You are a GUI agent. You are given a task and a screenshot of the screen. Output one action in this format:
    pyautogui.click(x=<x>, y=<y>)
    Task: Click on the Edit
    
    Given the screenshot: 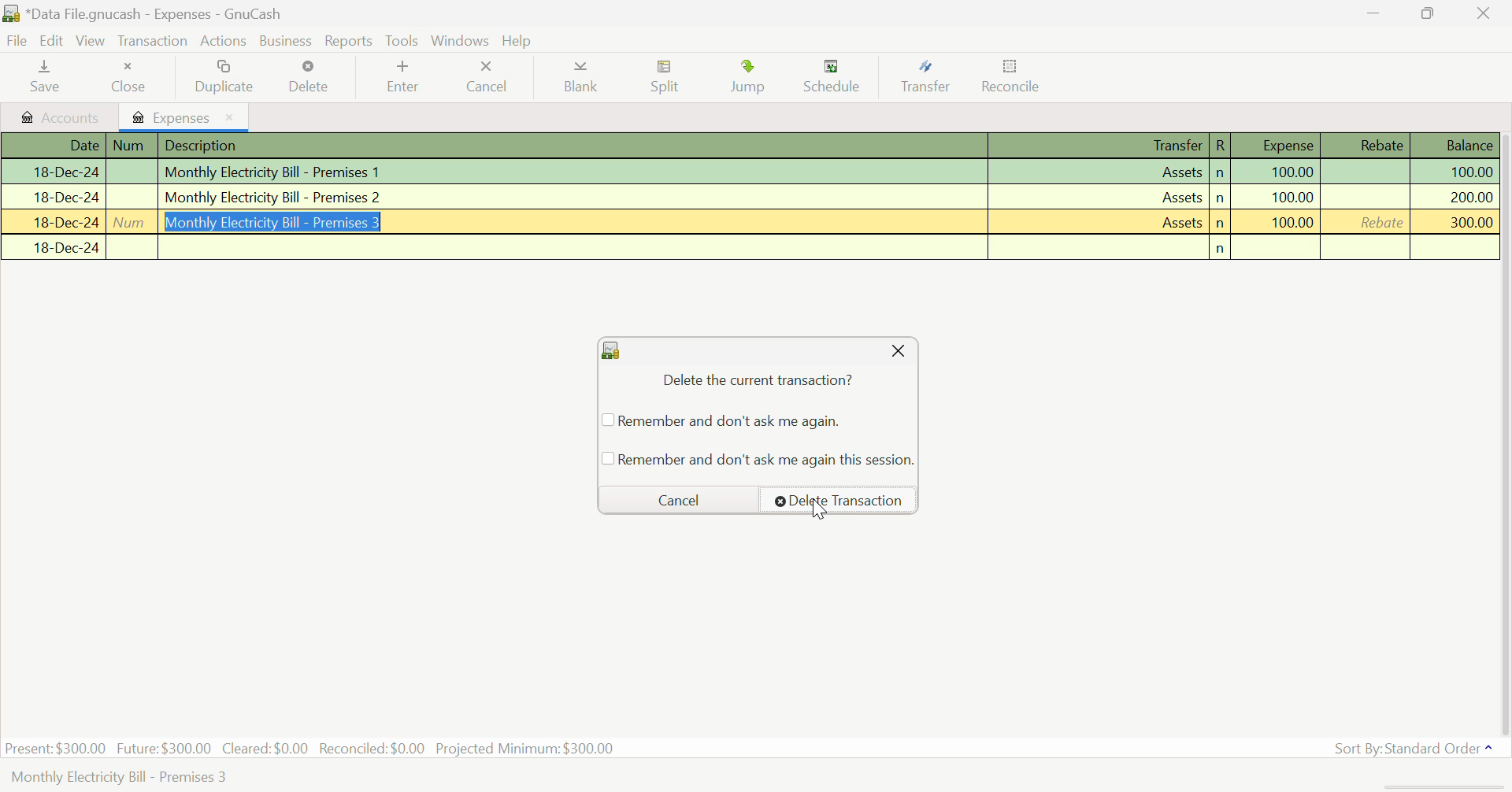 What is the action you would take?
    pyautogui.click(x=52, y=41)
    